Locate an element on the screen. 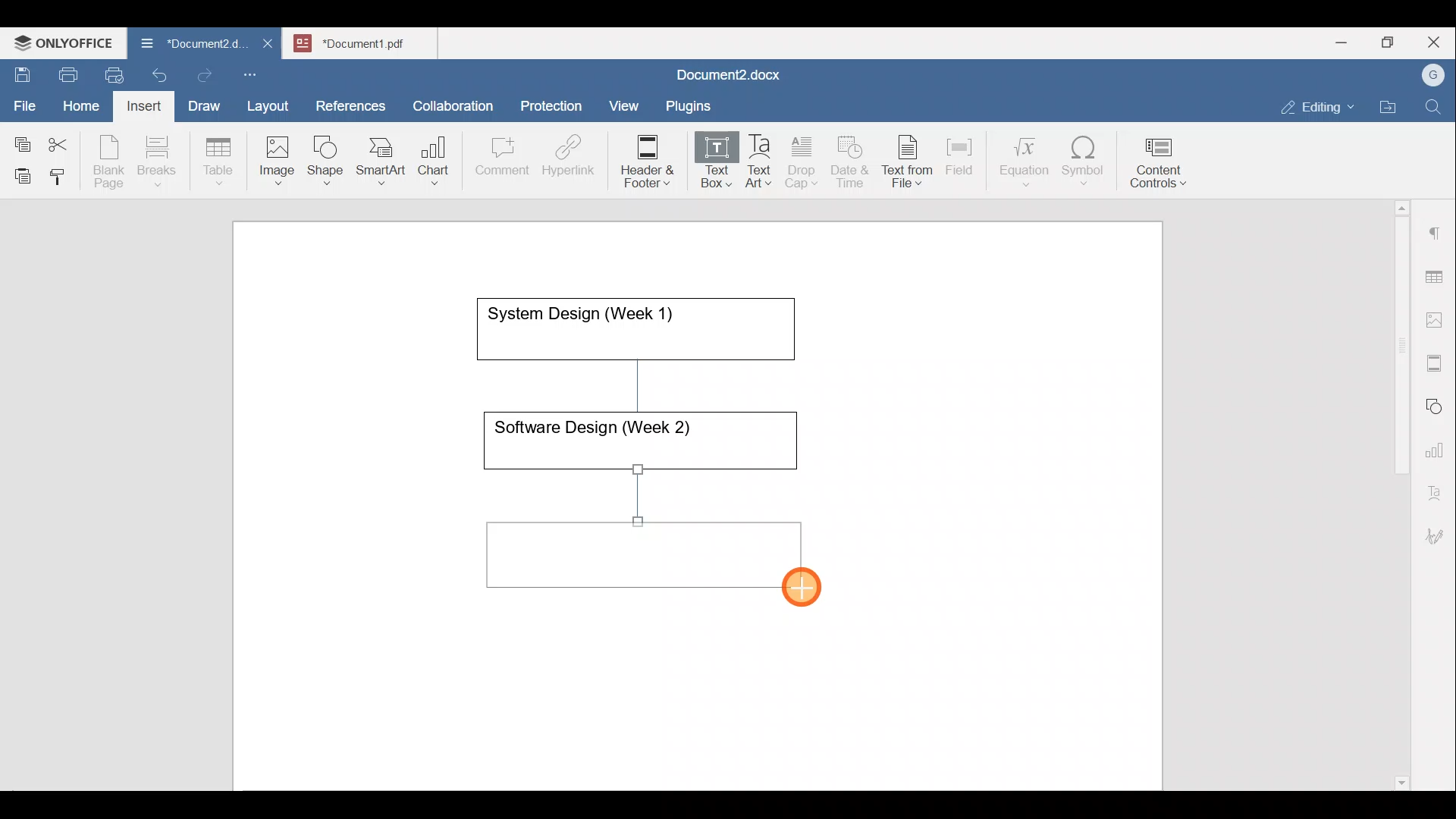  References is located at coordinates (350, 104).